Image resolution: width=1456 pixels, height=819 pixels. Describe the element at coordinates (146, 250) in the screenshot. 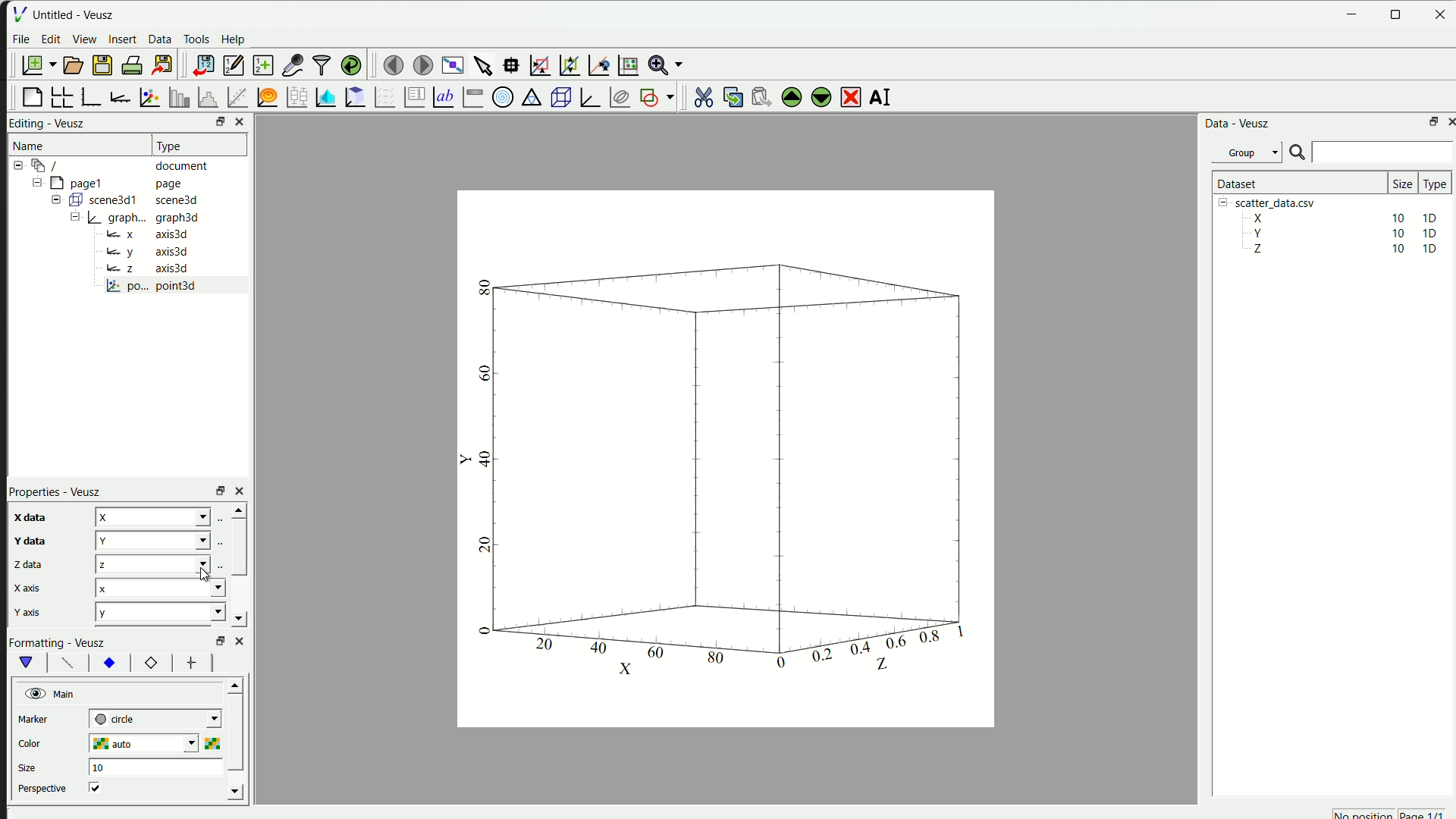

I see `y axis3d` at that location.